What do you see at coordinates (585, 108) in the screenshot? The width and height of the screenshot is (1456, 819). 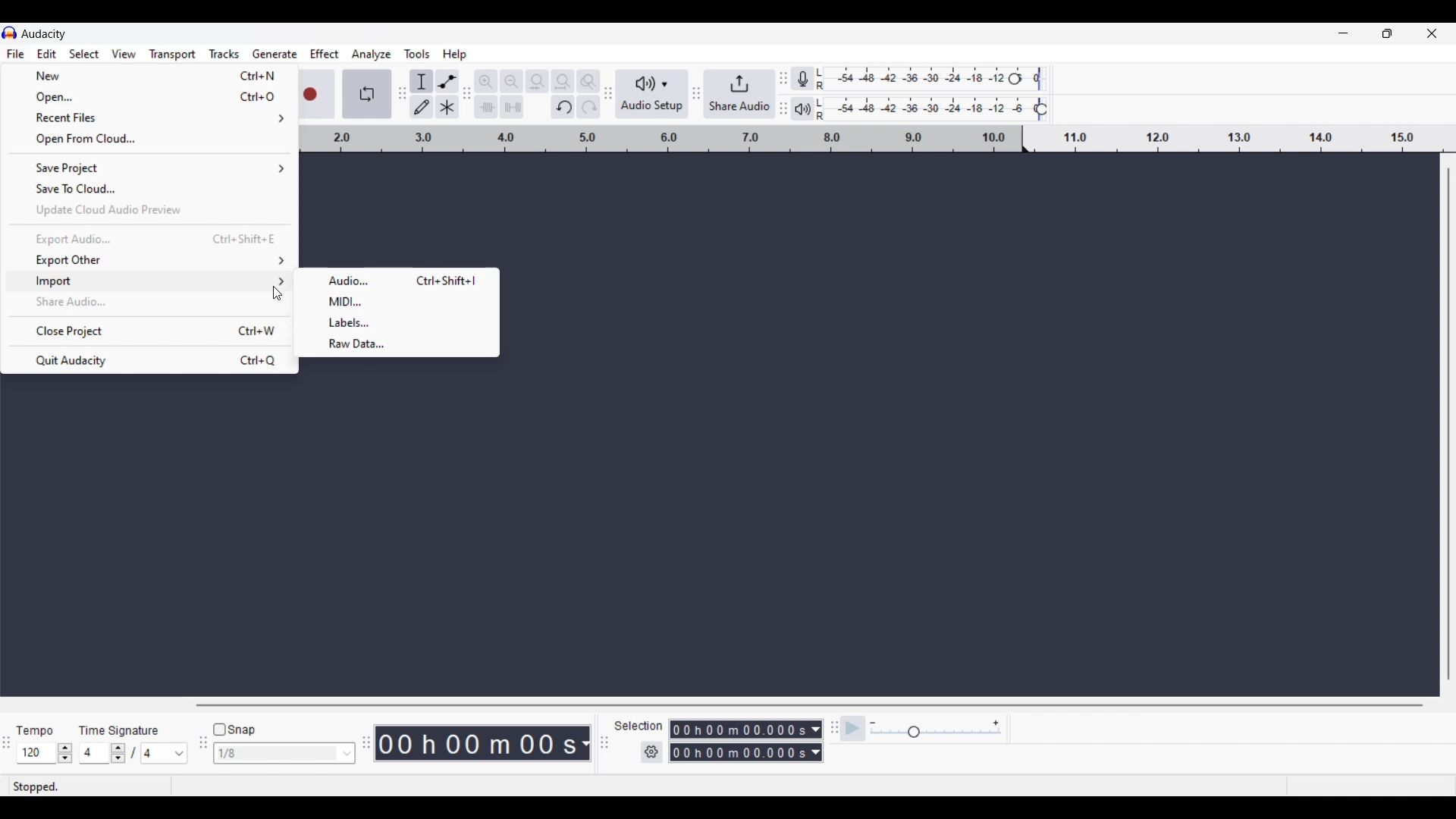 I see `Redo` at bounding box center [585, 108].